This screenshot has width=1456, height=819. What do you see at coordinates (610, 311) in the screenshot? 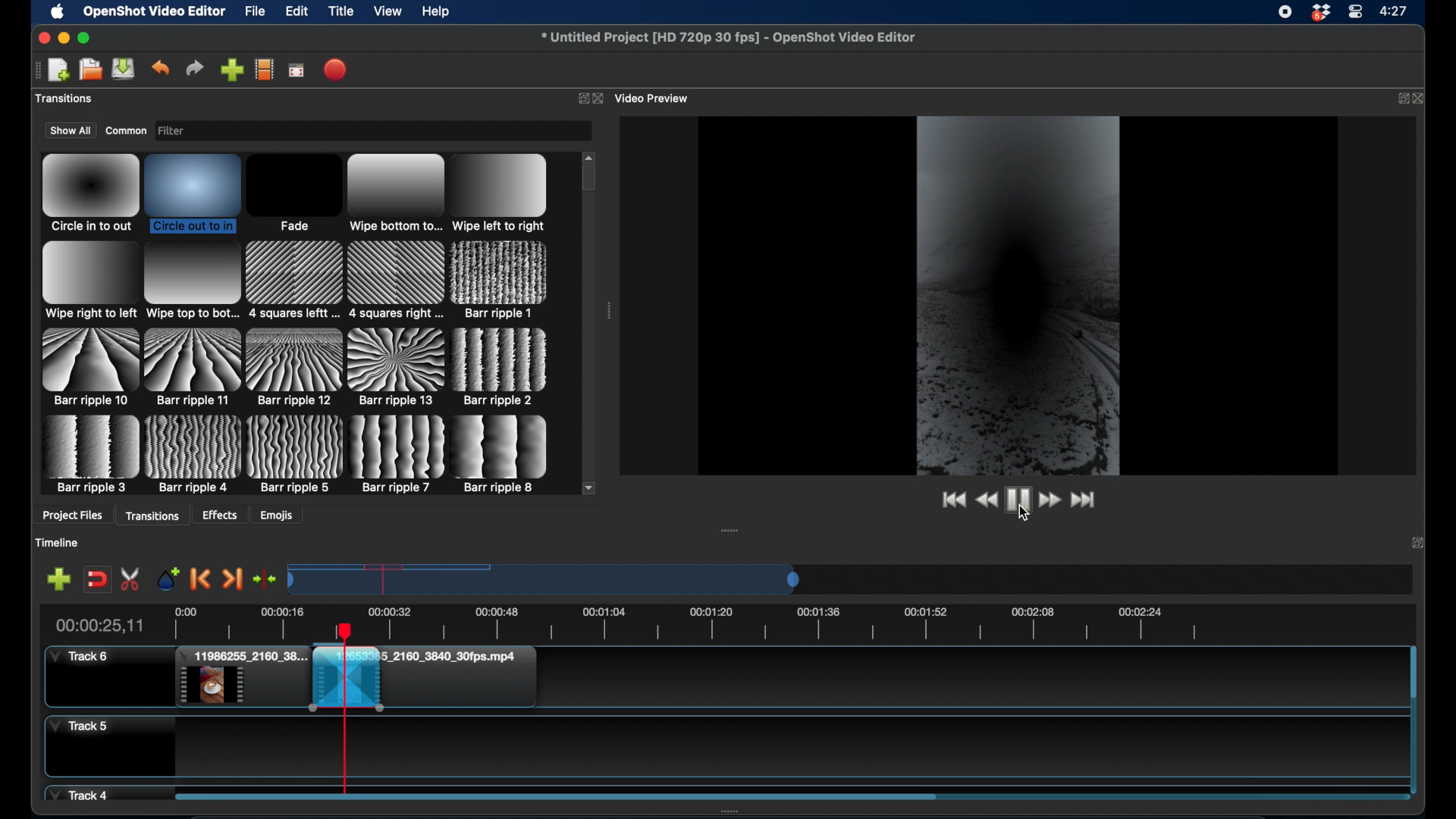
I see `drag handle` at bounding box center [610, 311].